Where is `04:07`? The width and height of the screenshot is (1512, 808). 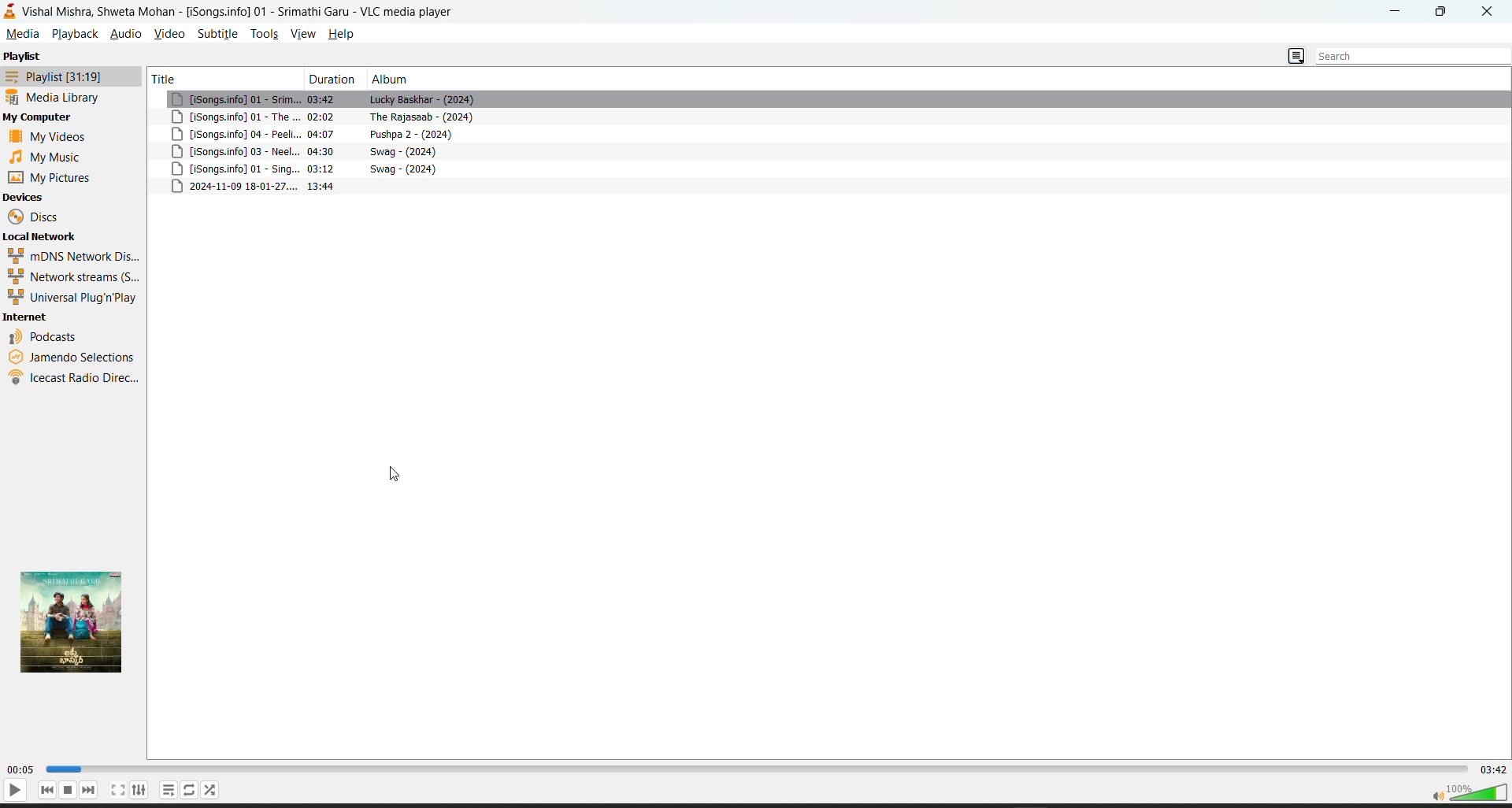
04:07 is located at coordinates (325, 134).